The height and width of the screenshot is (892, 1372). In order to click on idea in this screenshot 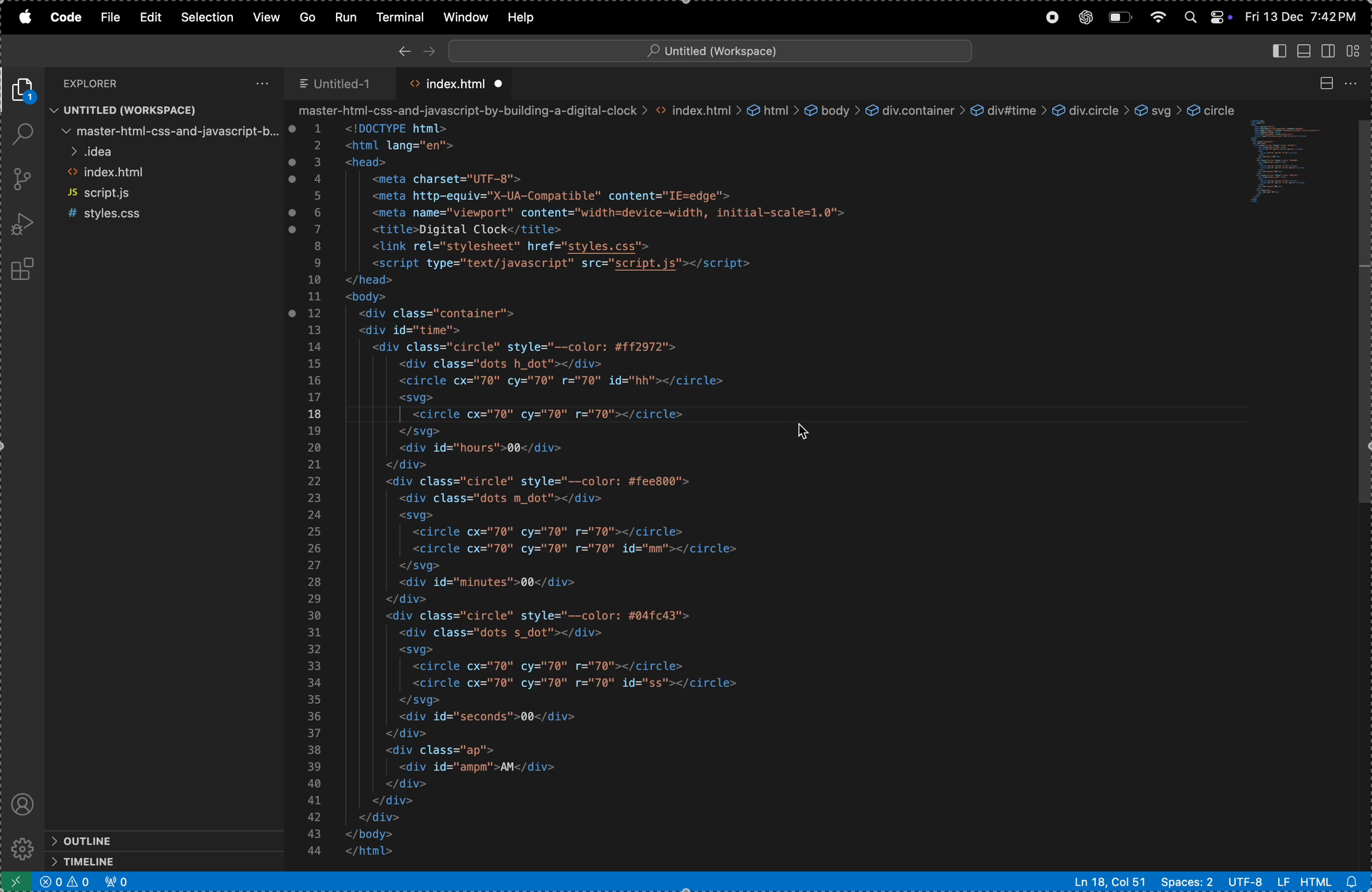, I will do `click(164, 153)`.